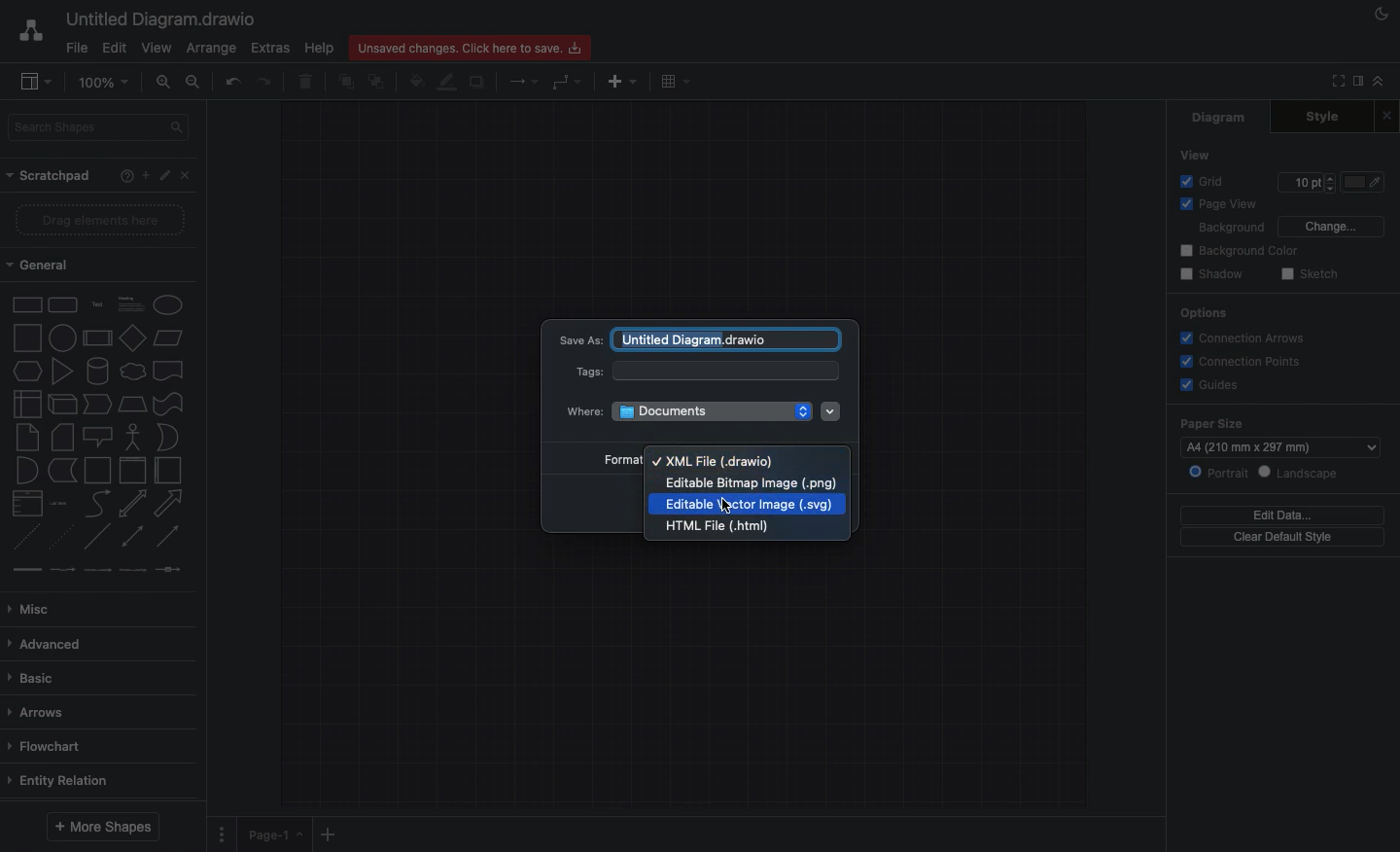  What do you see at coordinates (1356, 83) in the screenshot?
I see `Sidebar` at bounding box center [1356, 83].